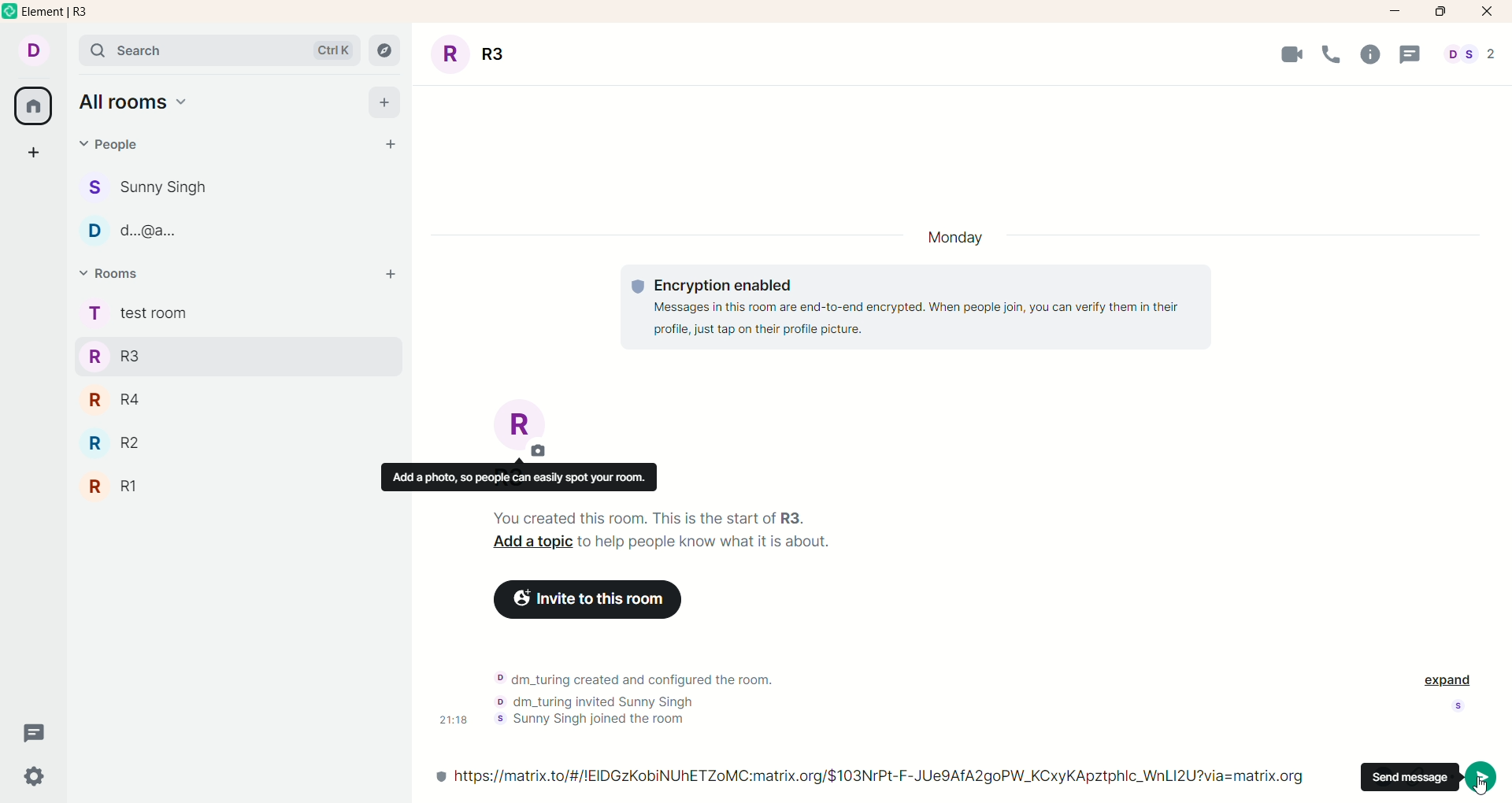 The image size is (1512, 803). What do you see at coordinates (219, 52) in the screenshot?
I see `search` at bounding box center [219, 52].